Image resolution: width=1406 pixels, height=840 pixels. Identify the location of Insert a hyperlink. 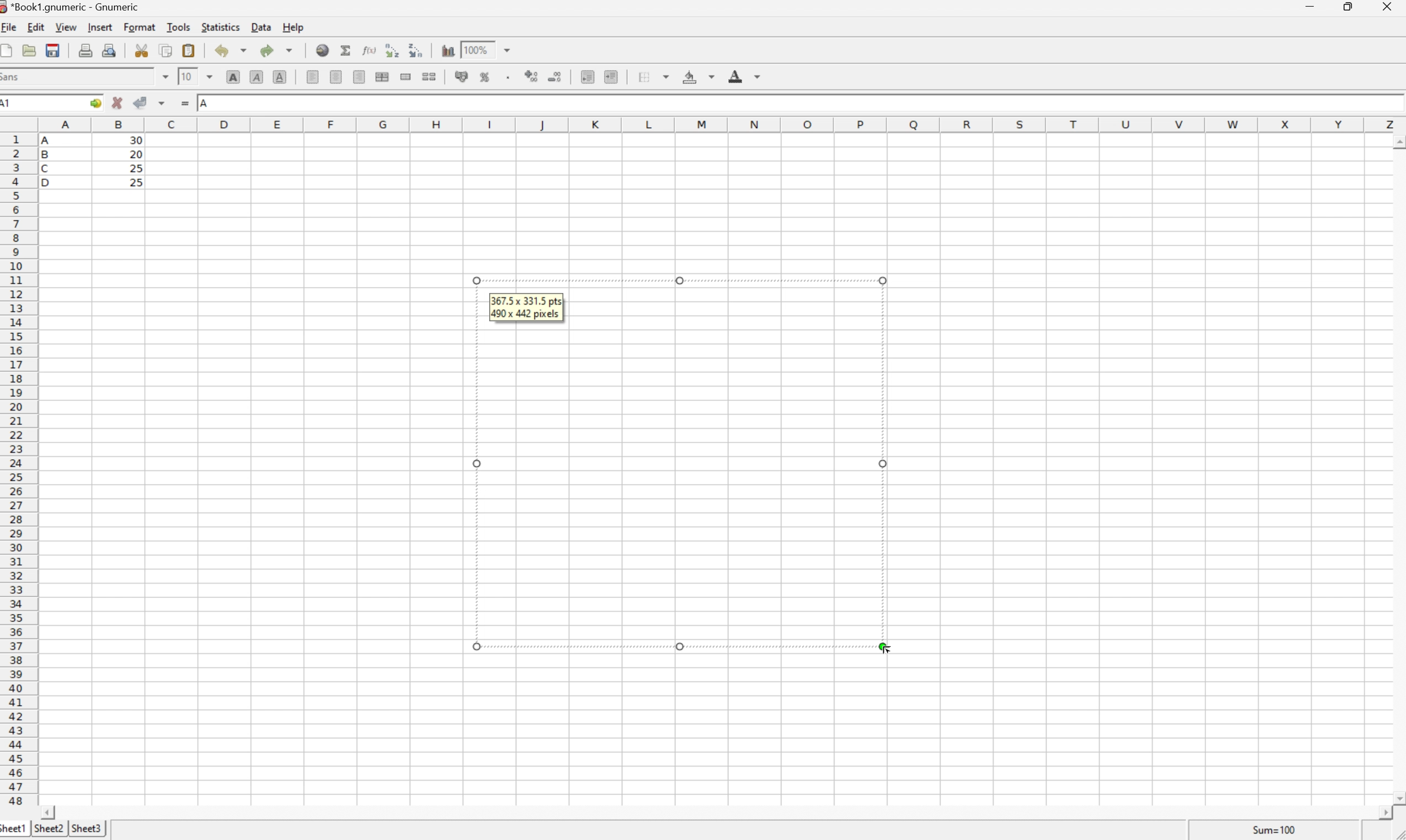
(323, 50).